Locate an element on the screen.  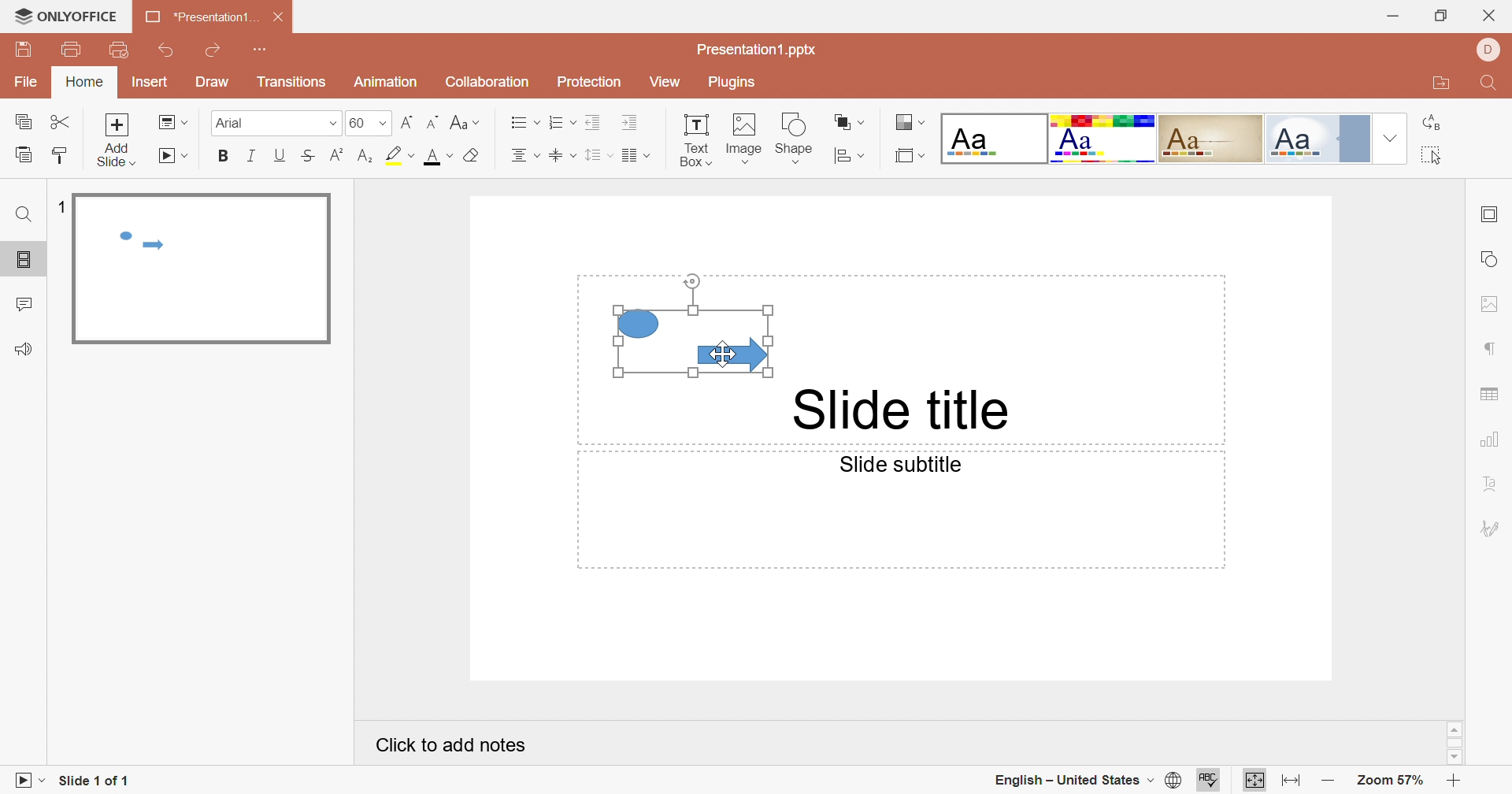
Shape is located at coordinates (797, 137).